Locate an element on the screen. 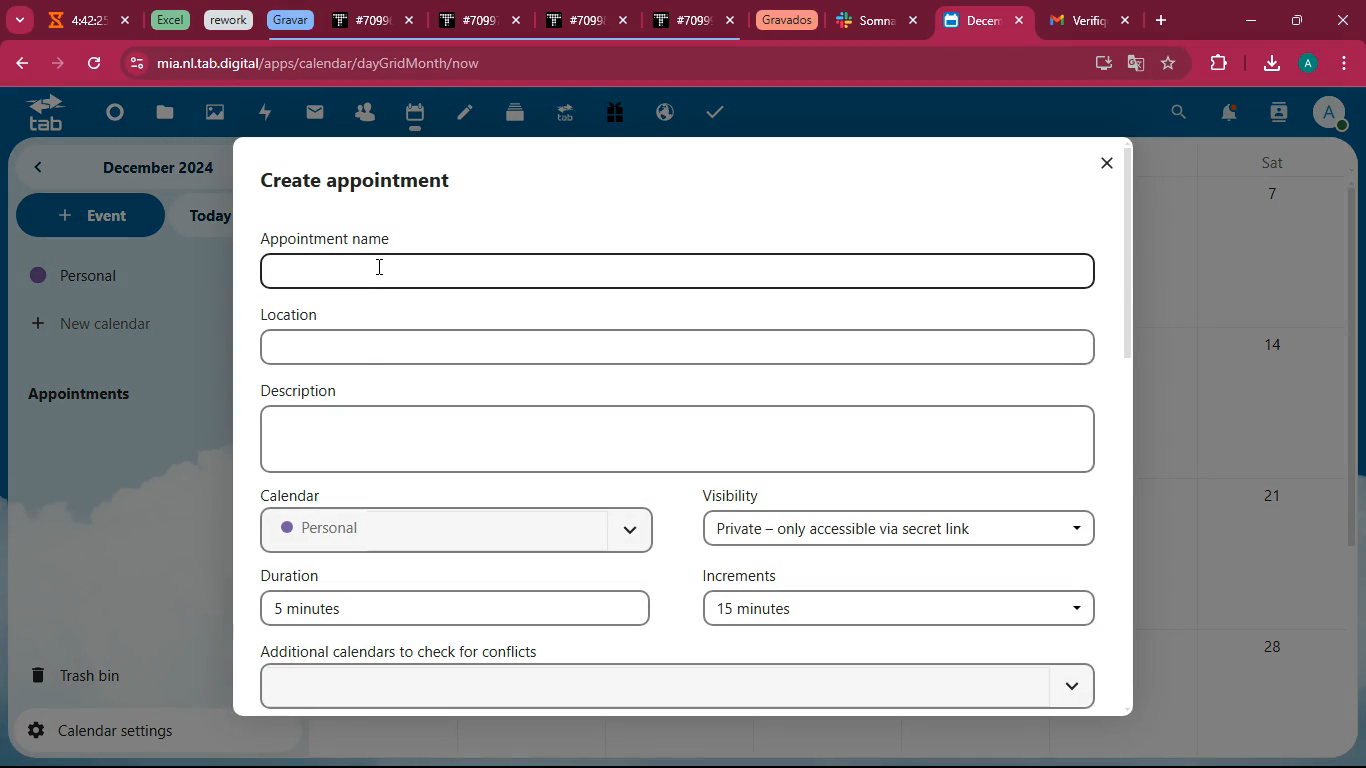 This screenshot has height=768, width=1366. url is located at coordinates (318, 63).